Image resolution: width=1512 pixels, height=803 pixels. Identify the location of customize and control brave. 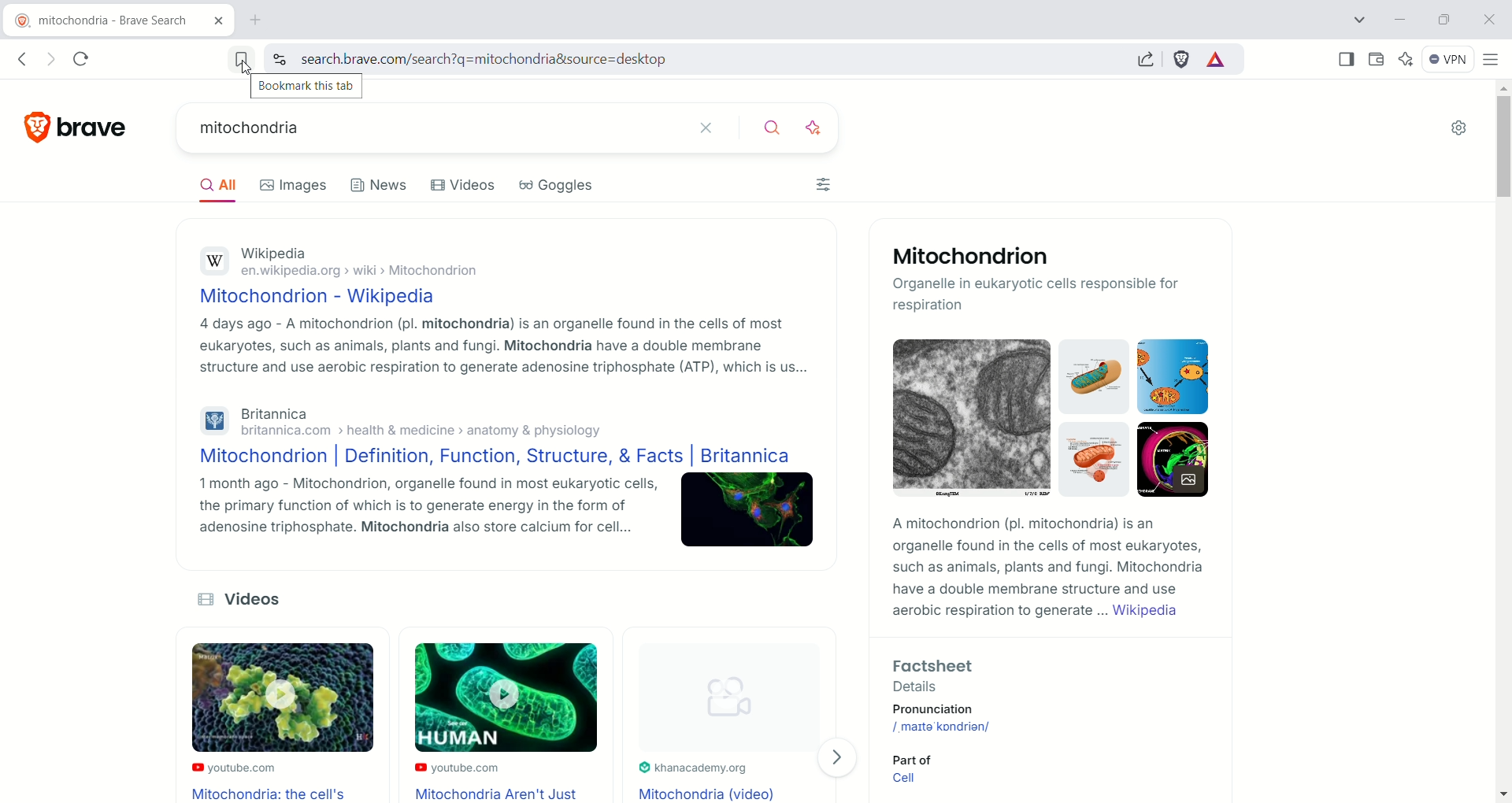
(1492, 59).